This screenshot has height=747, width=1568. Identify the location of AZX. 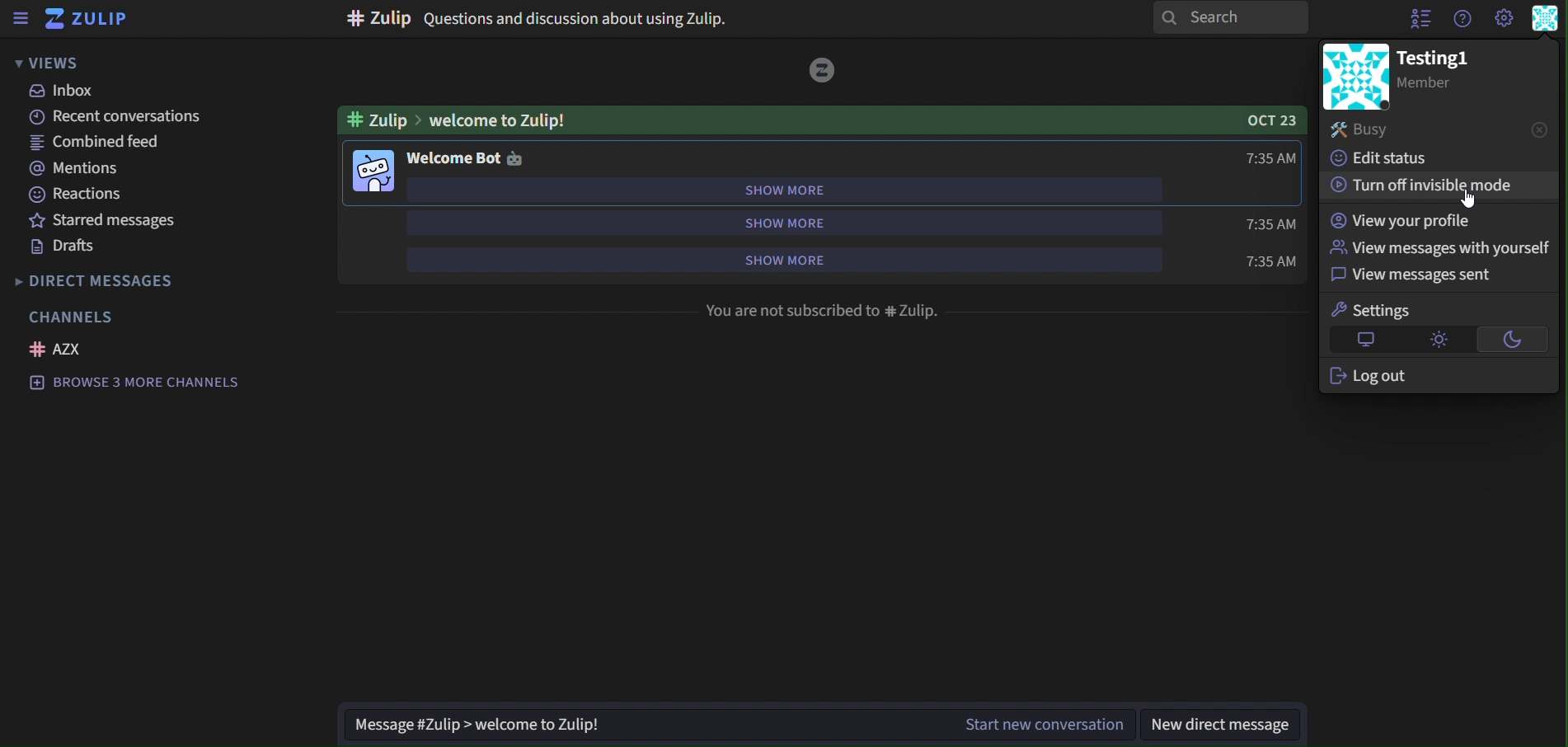
(61, 350).